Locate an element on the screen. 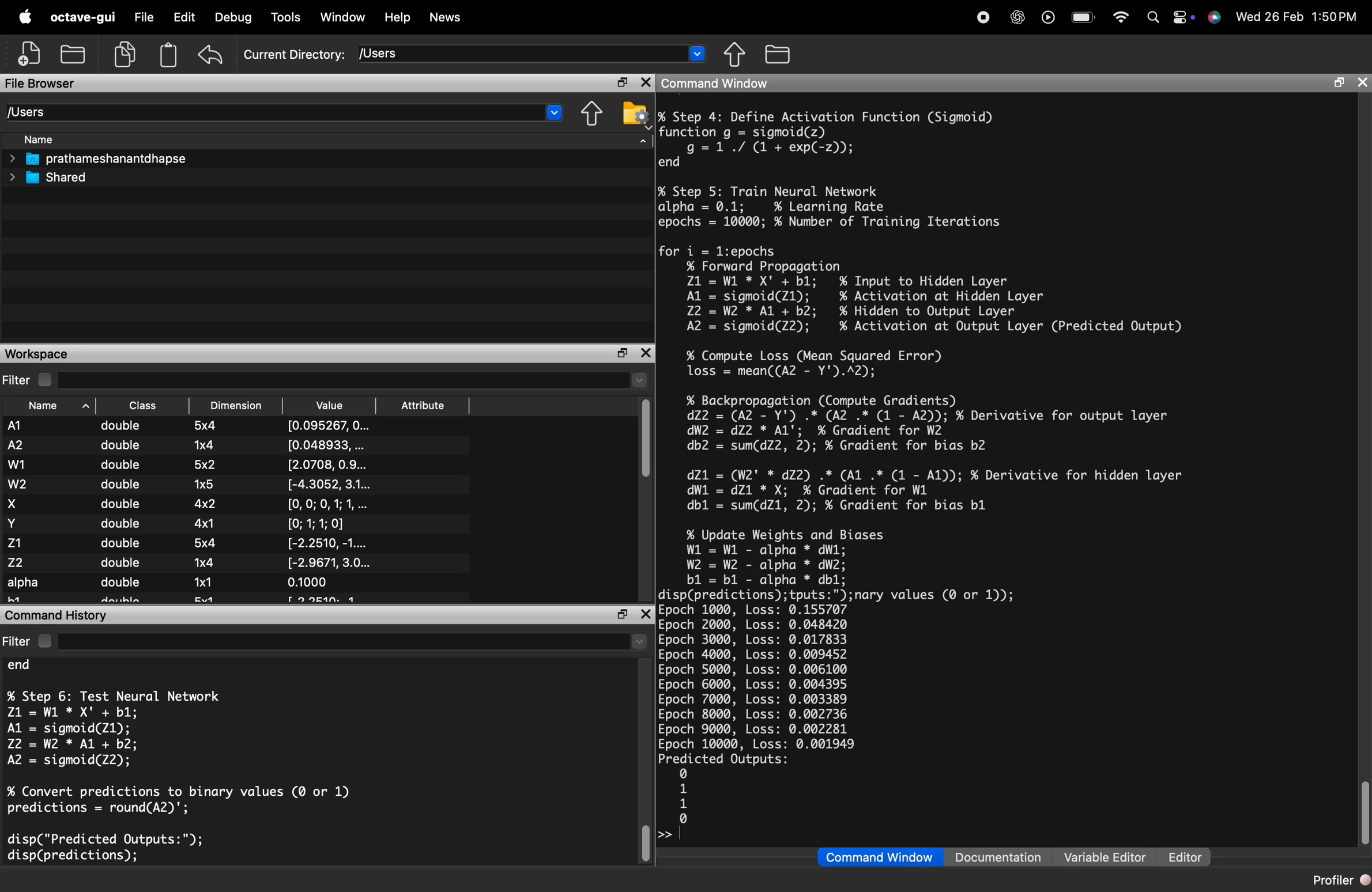 The width and height of the screenshot is (1372, 892). [-2.2510, -1.... is located at coordinates (330, 542).